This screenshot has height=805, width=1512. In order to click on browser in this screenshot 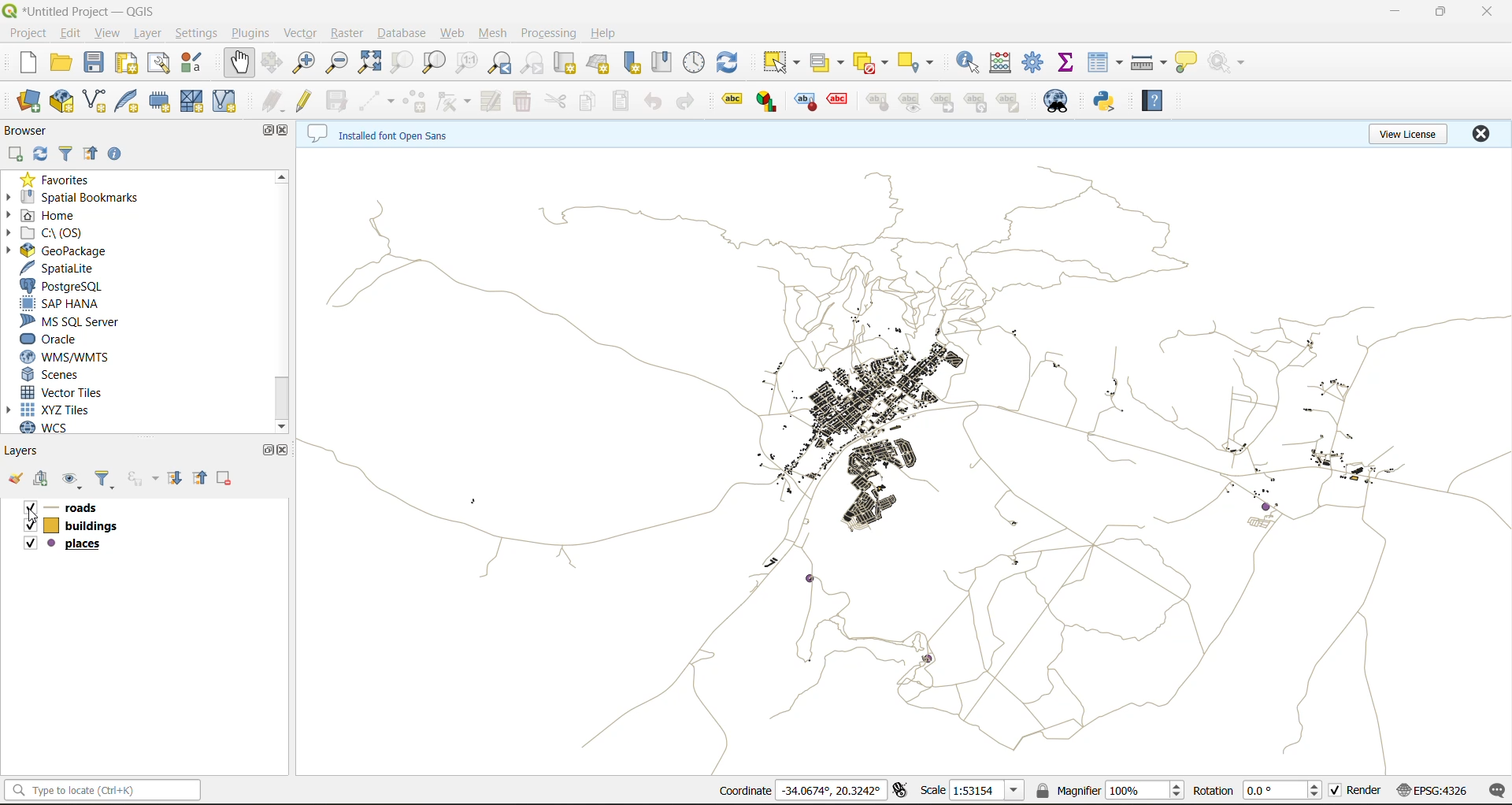, I will do `click(32, 133)`.